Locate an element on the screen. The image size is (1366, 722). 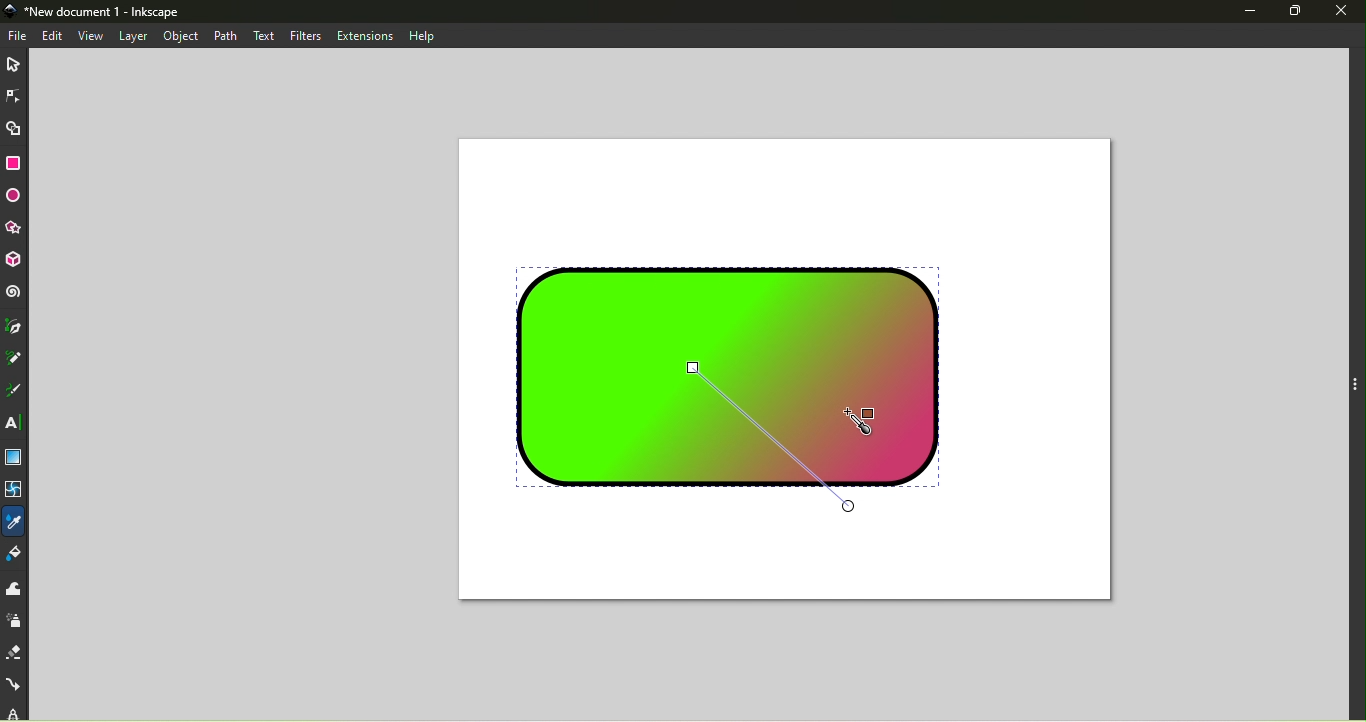
Ellipse/arc tool is located at coordinates (16, 197).